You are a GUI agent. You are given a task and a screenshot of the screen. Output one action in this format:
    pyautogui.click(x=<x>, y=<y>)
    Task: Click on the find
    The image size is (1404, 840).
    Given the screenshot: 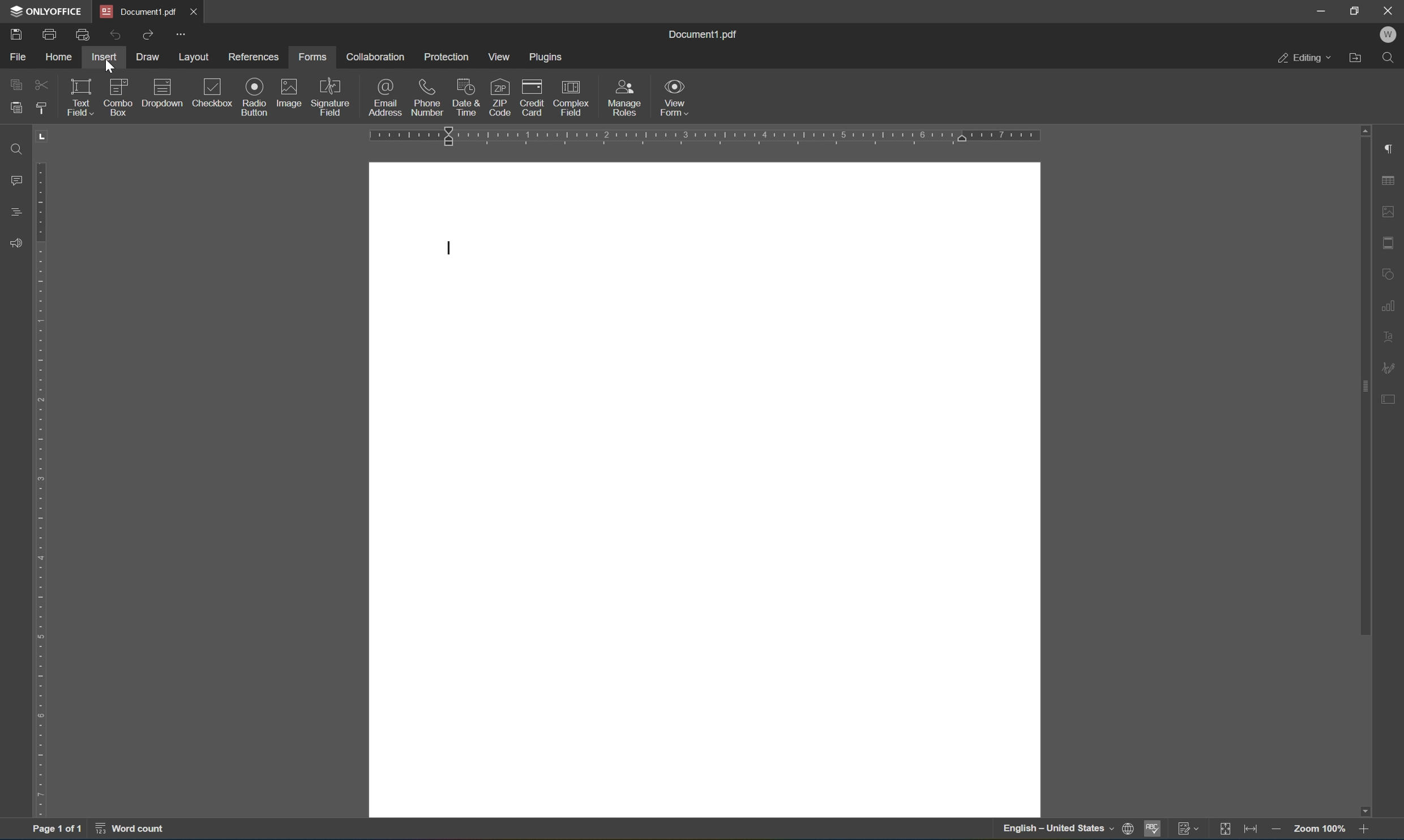 What is the action you would take?
    pyautogui.click(x=1391, y=59)
    